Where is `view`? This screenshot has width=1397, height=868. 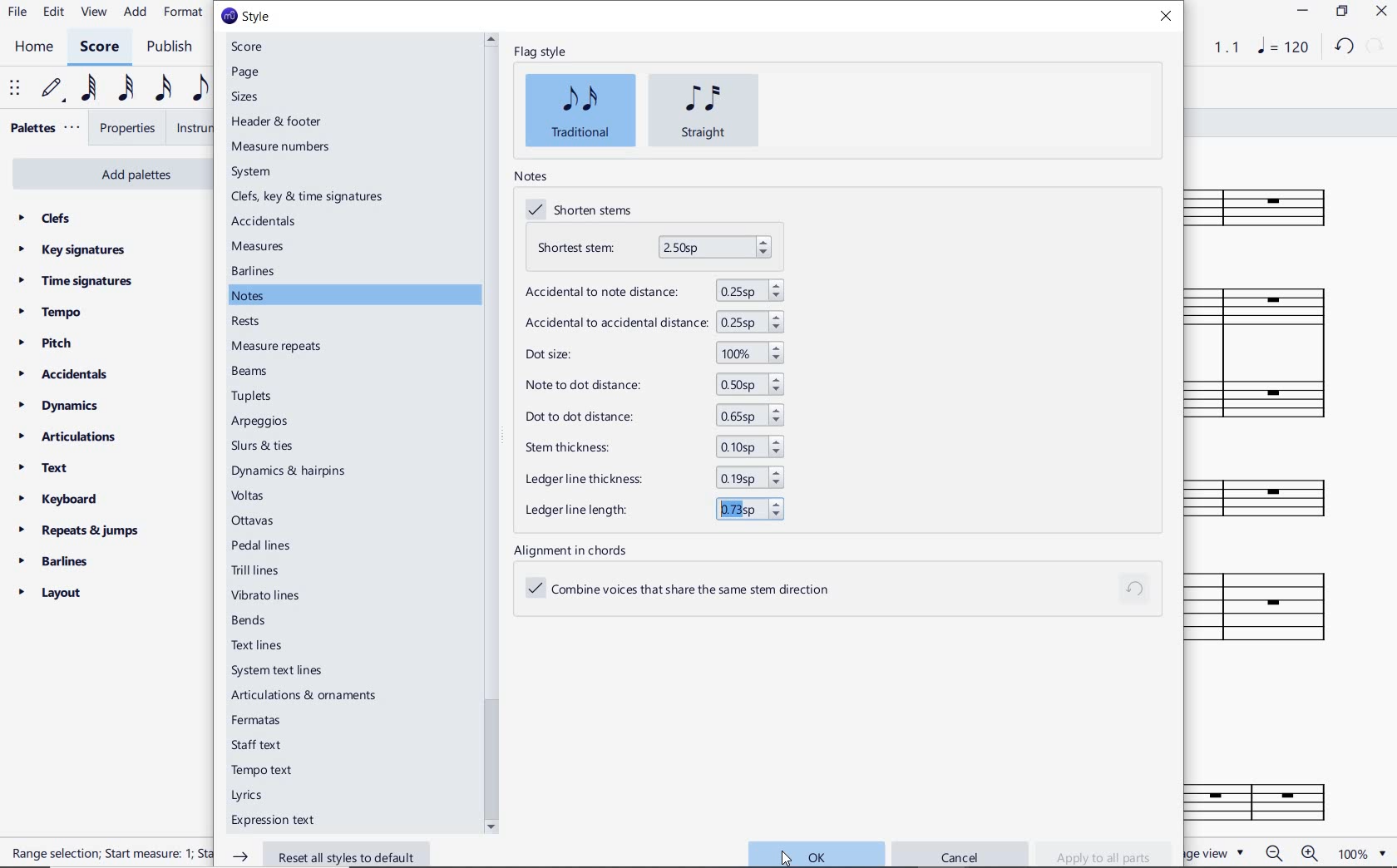
view is located at coordinates (91, 12).